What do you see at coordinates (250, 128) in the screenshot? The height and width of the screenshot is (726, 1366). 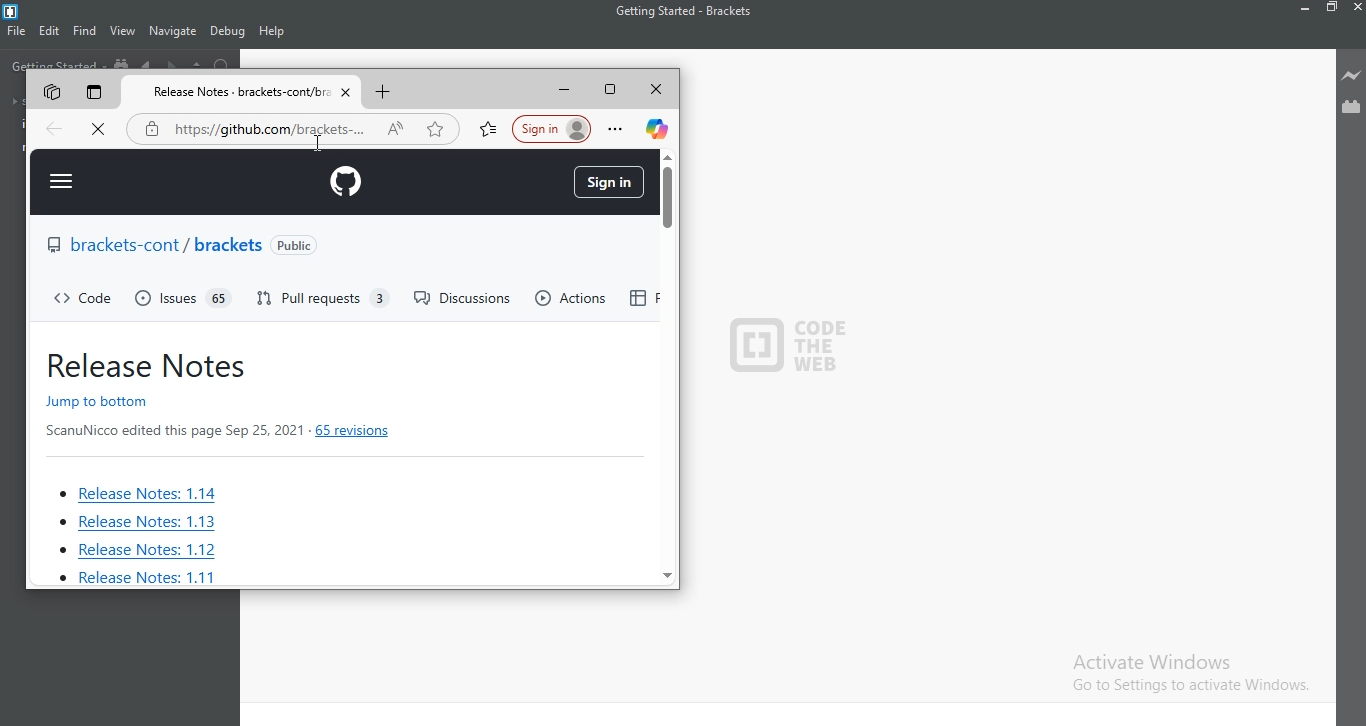 I see `search bar` at bounding box center [250, 128].